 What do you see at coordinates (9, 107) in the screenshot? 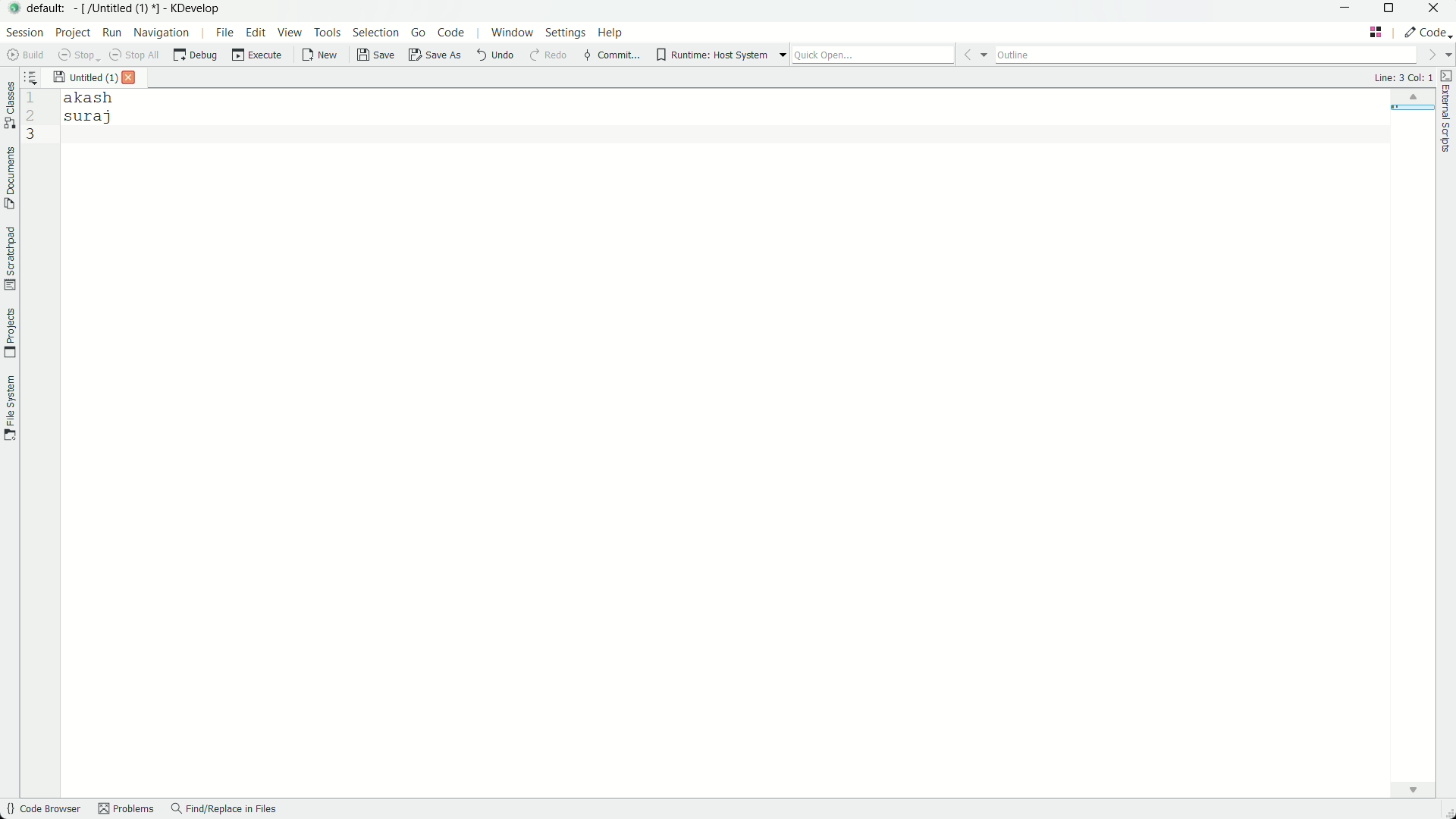
I see `classes` at bounding box center [9, 107].